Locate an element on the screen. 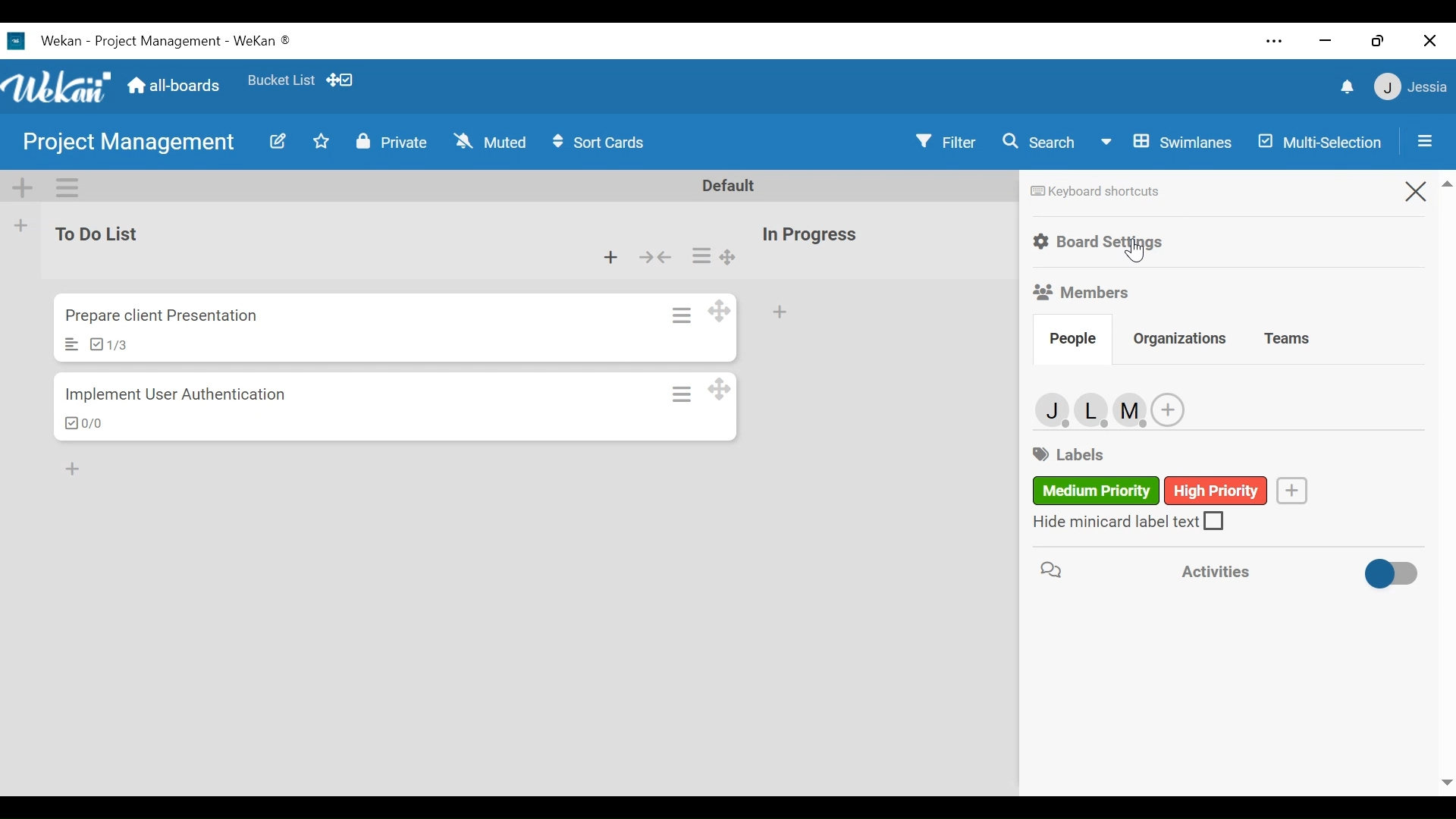 The width and height of the screenshot is (1456, 819). Toggle Favorite is located at coordinates (324, 141).